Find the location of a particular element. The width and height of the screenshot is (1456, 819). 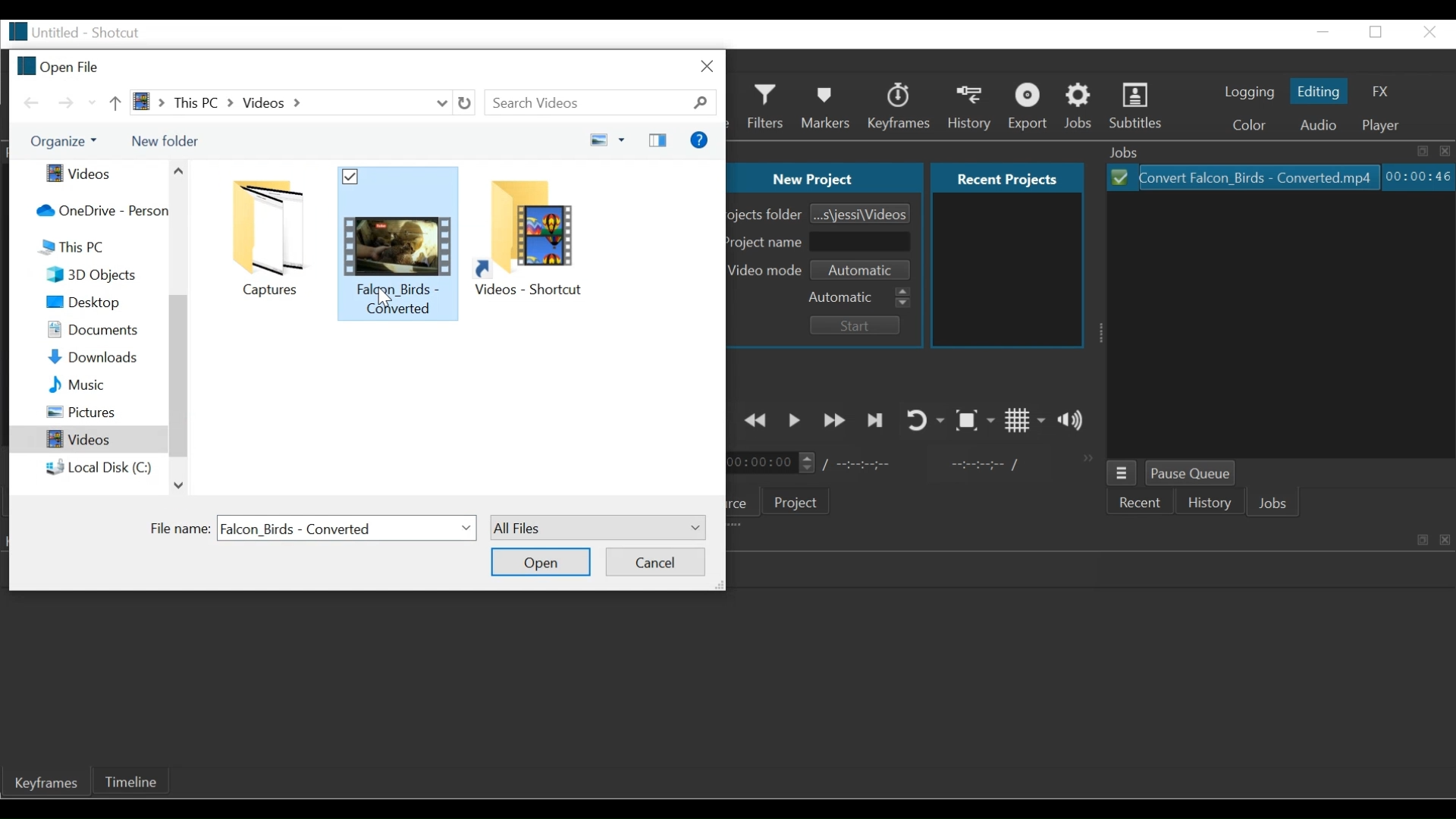

Jobs menu is located at coordinates (1123, 472).